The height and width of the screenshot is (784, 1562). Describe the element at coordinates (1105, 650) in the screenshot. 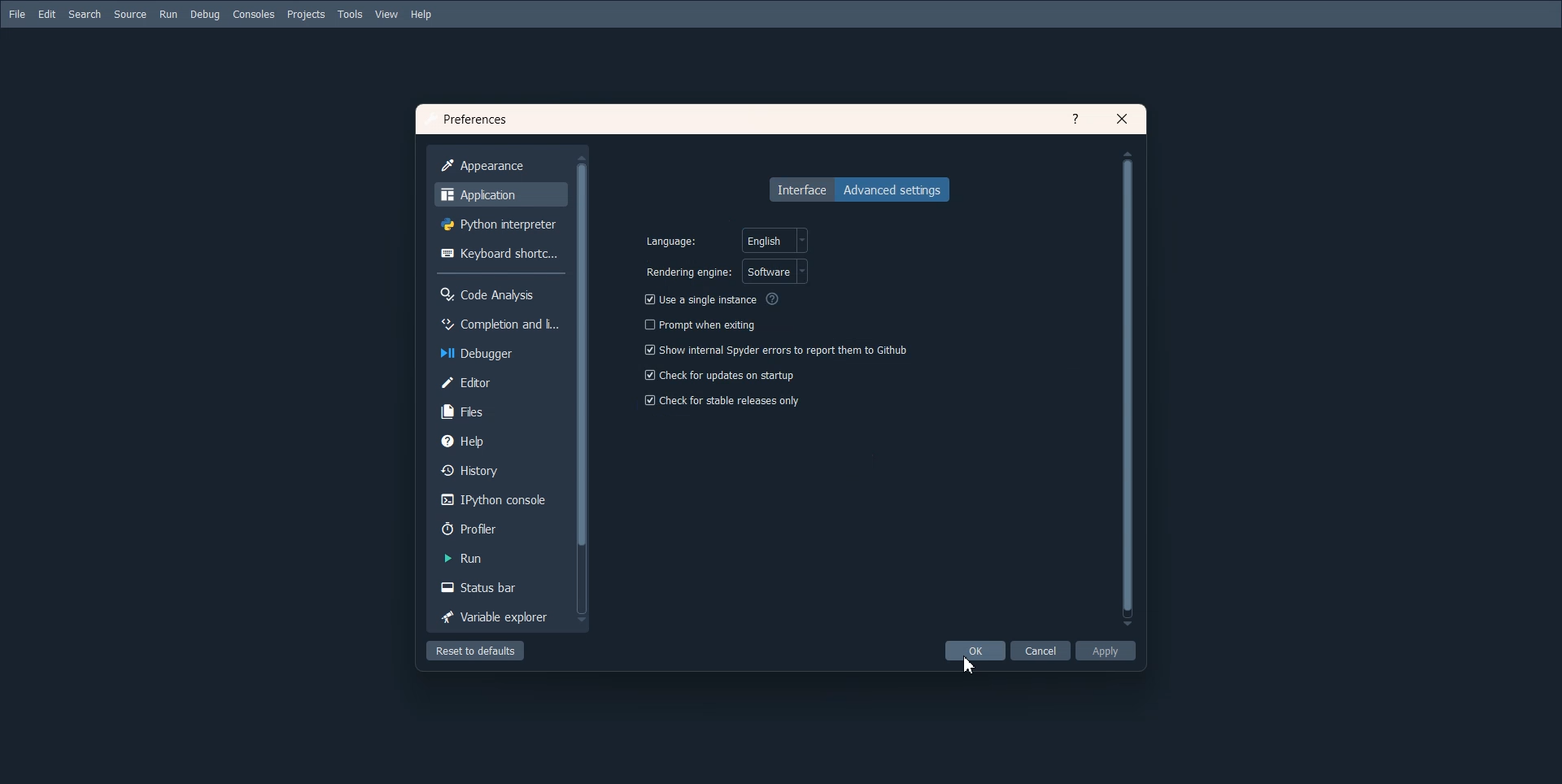

I see `Apply` at that location.